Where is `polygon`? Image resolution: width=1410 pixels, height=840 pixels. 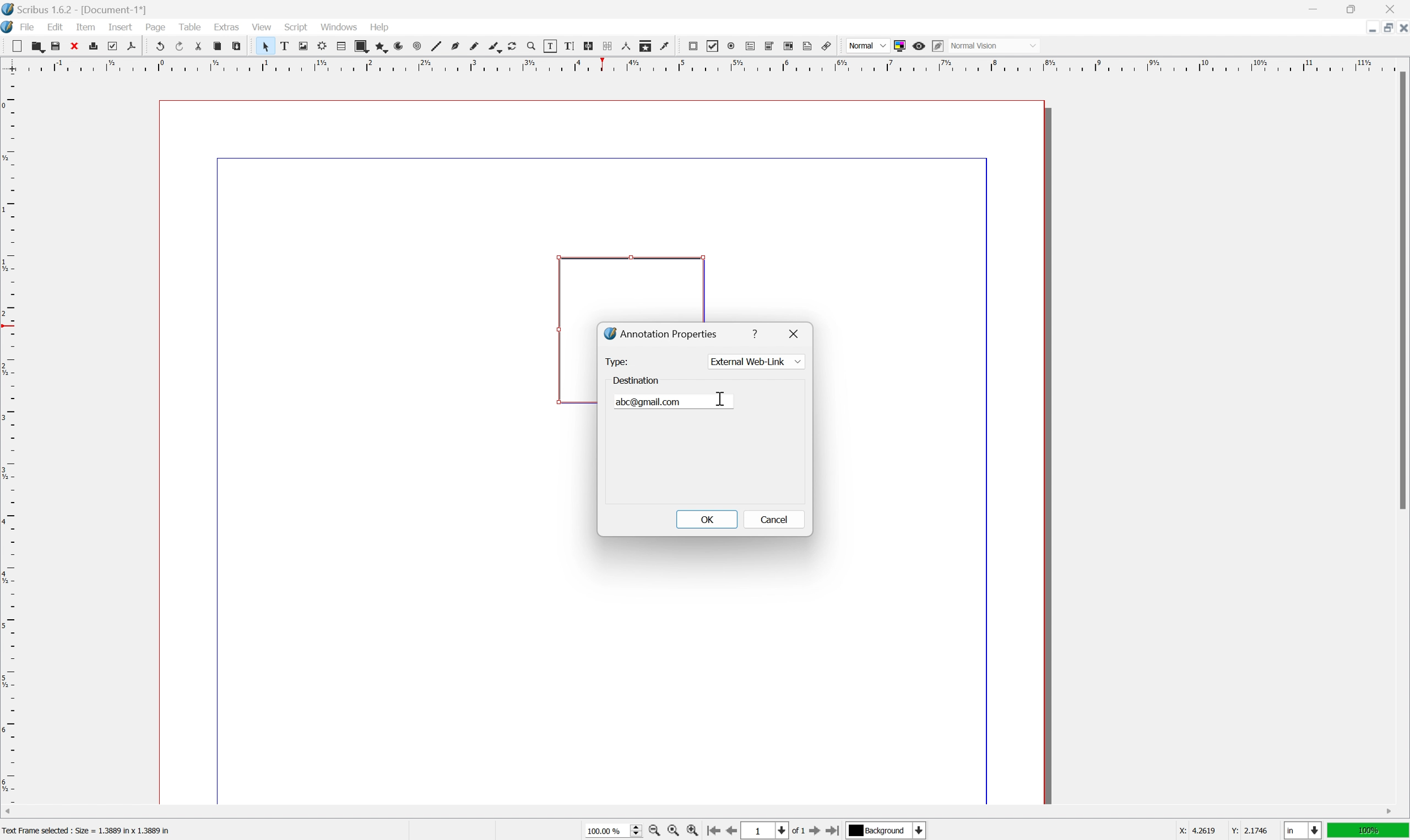 polygon is located at coordinates (380, 46).